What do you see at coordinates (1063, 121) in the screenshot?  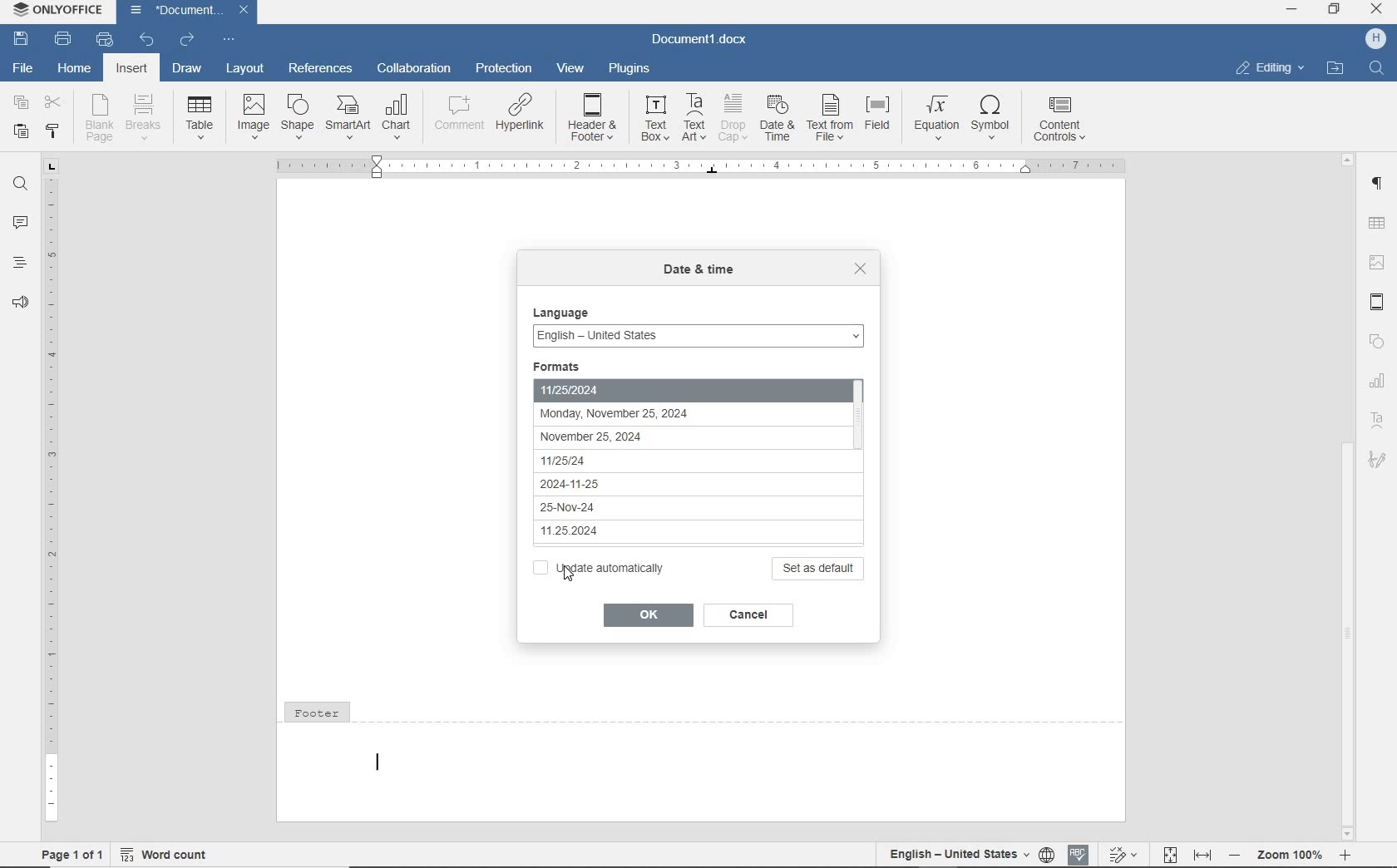 I see `content controls` at bounding box center [1063, 121].